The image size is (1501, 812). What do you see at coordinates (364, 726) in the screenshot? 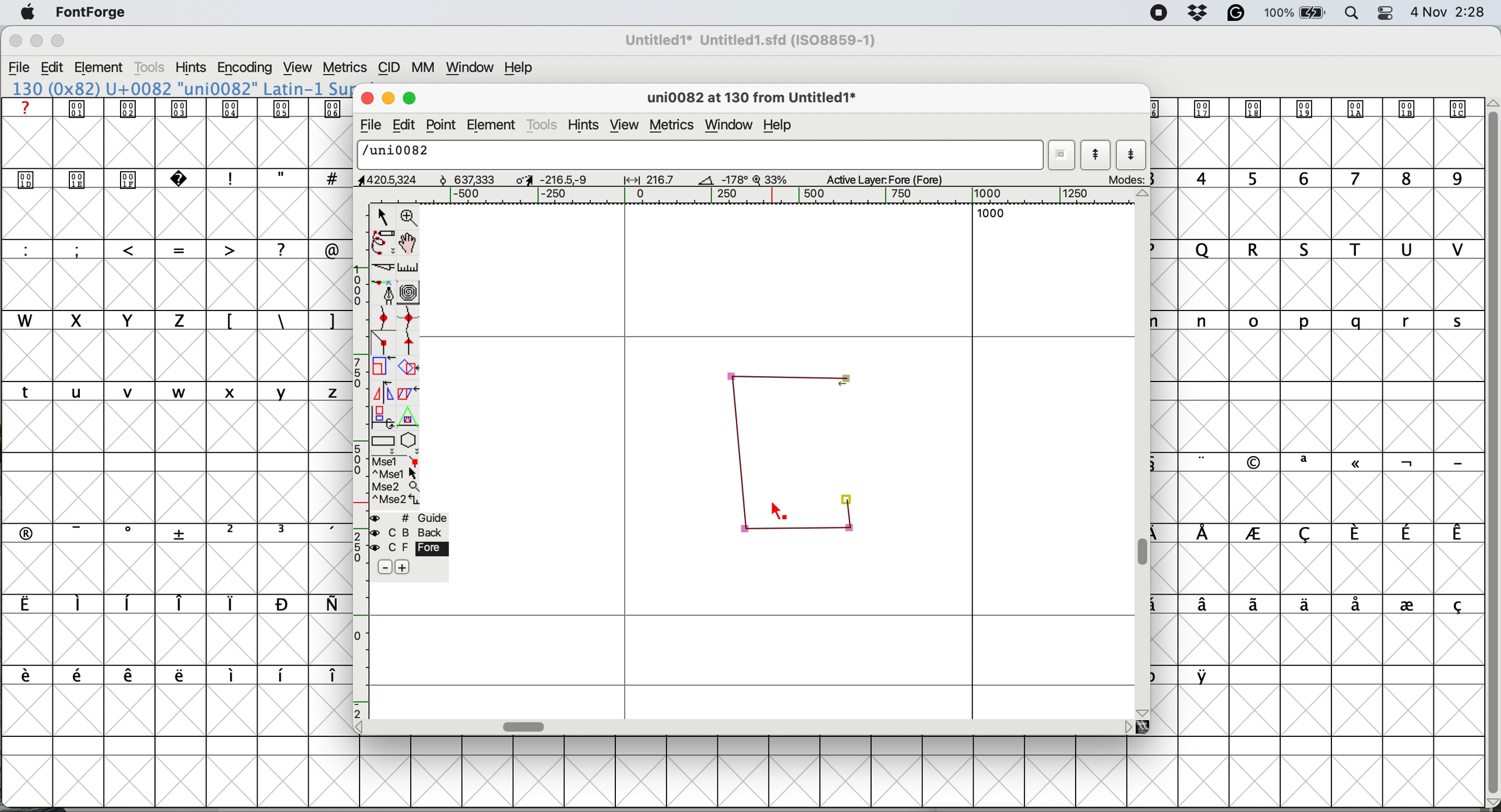
I see `scroll button` at bounding box center [364, 726].